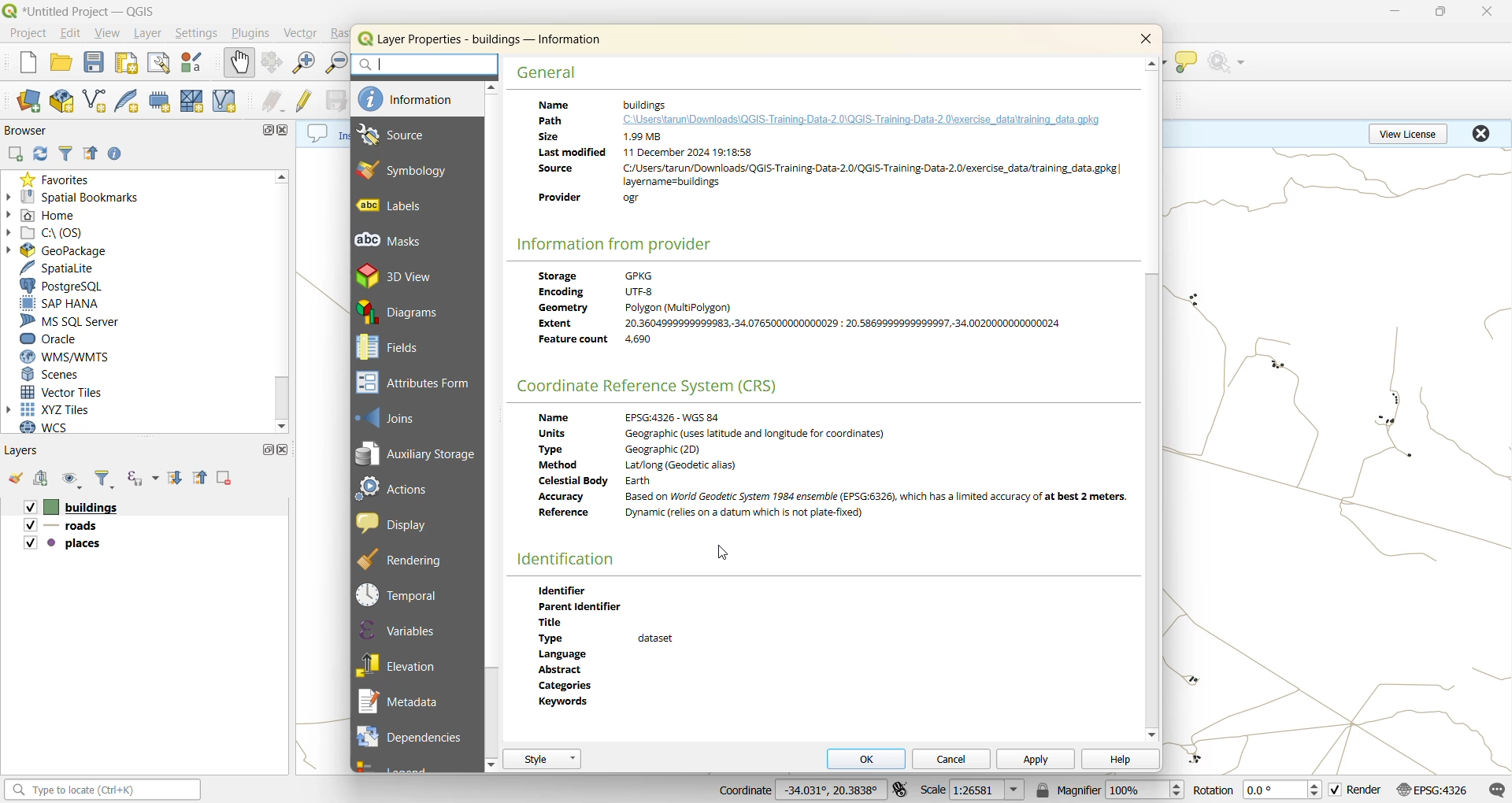 The image size is (1512, 803). I want to click on open, so click(65, 62).